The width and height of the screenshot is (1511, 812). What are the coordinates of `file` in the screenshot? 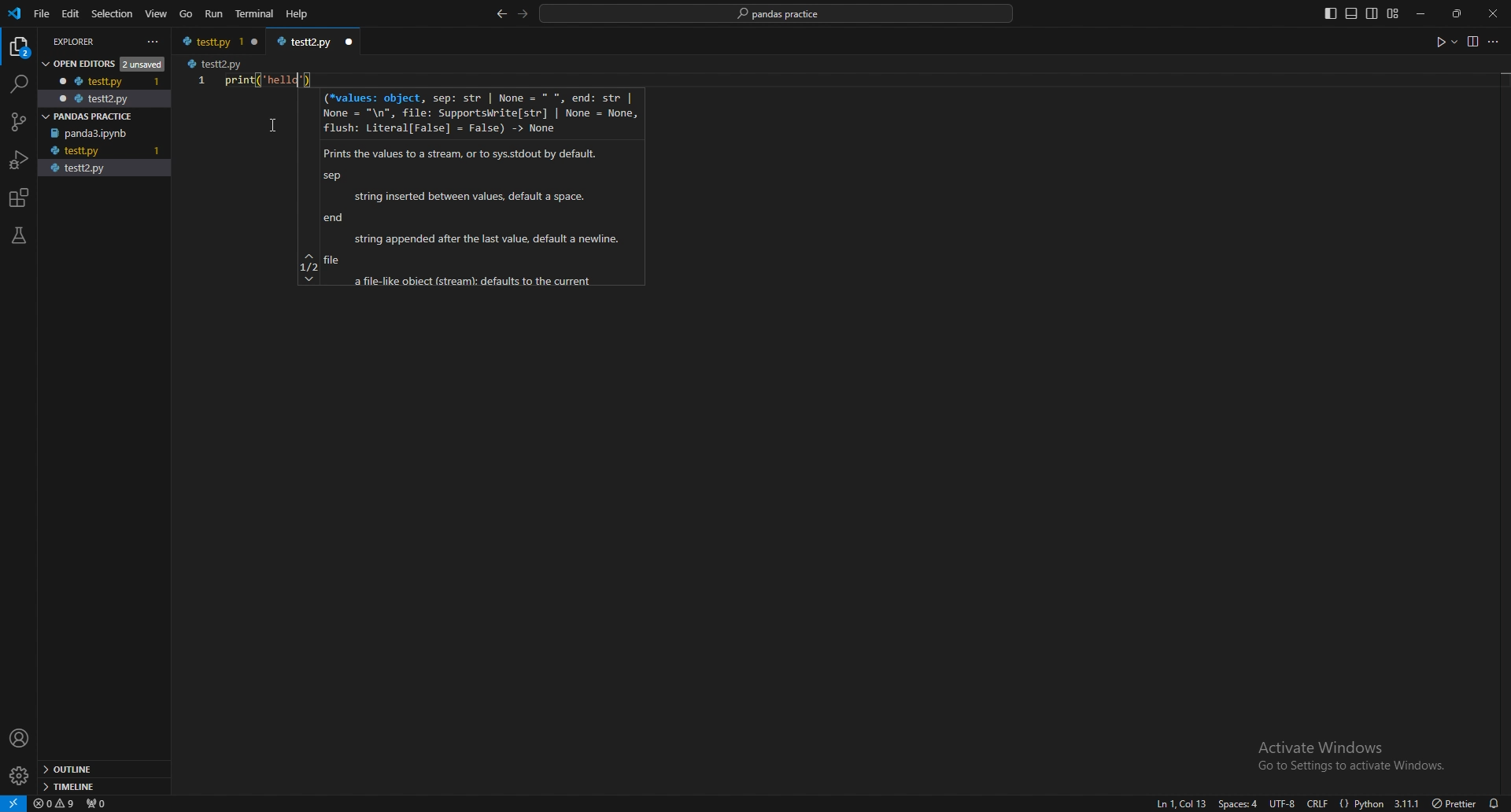 It's located at (42, 13).